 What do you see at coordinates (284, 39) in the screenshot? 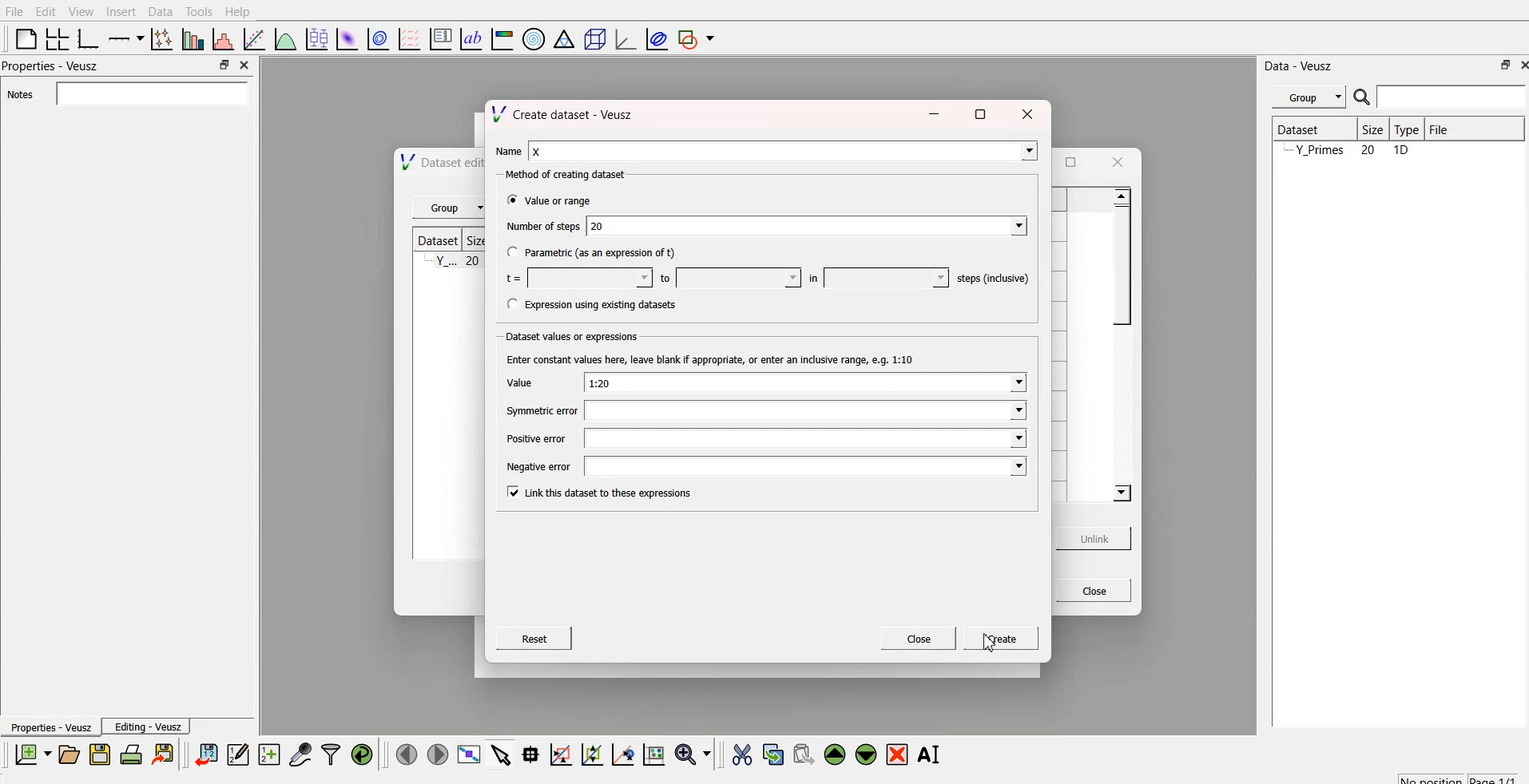
I see `plot function` at bounding box center [284, 39].